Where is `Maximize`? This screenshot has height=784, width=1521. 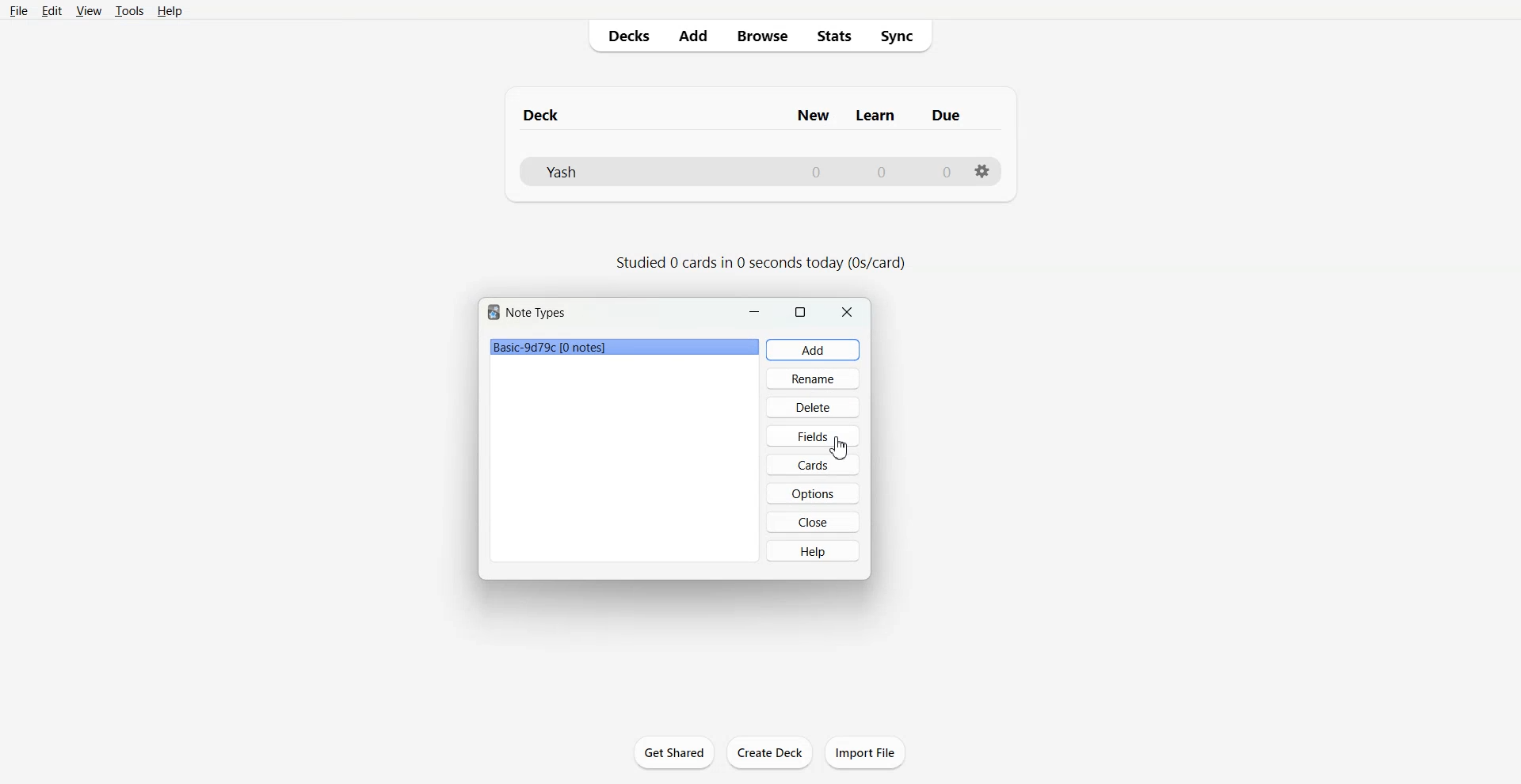
Maximize is located at coordinates (801, 312).